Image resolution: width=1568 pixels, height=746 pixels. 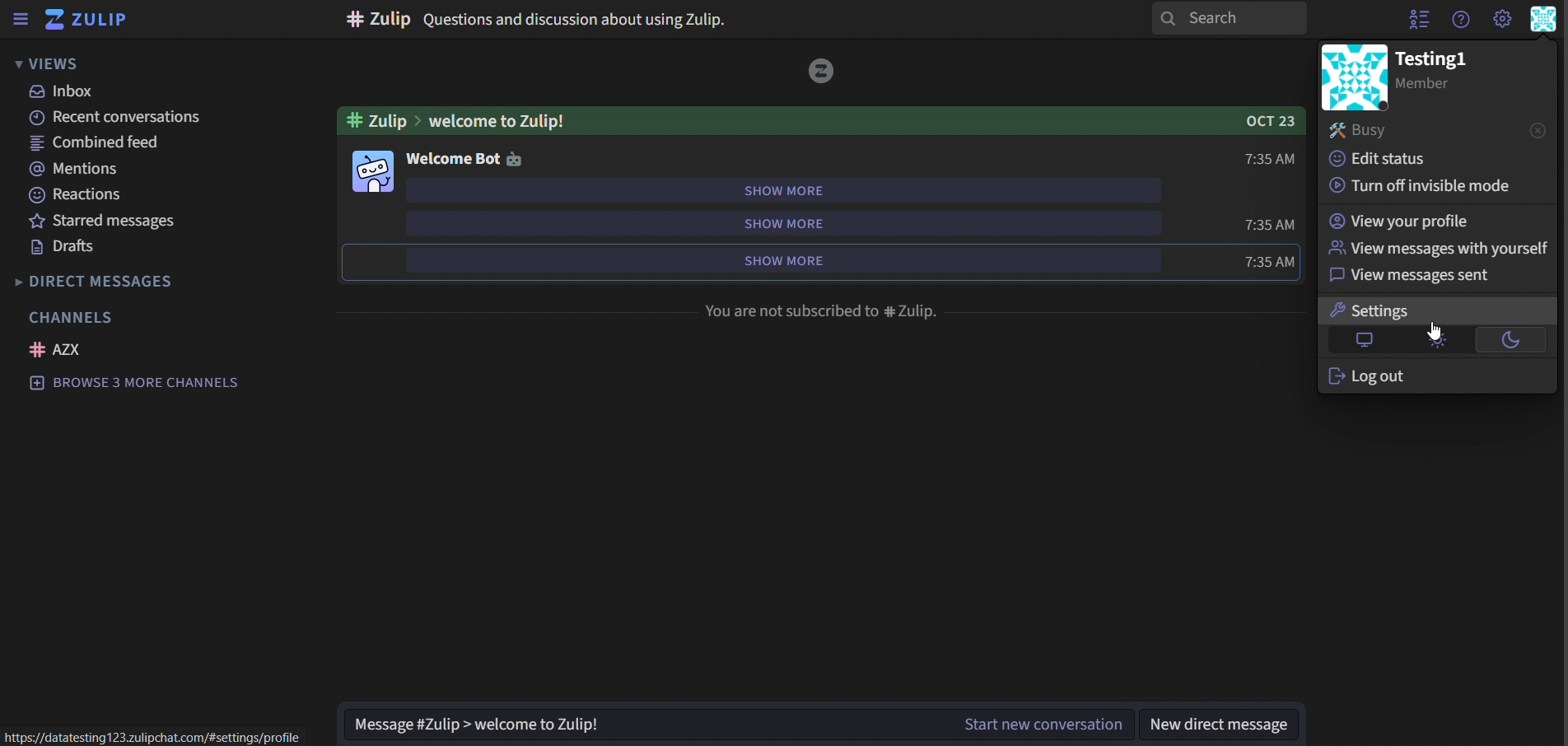 What do you see at coordinates (62, 350) in the screenshot?
I see `AZX` at bounding box center [62, 350].